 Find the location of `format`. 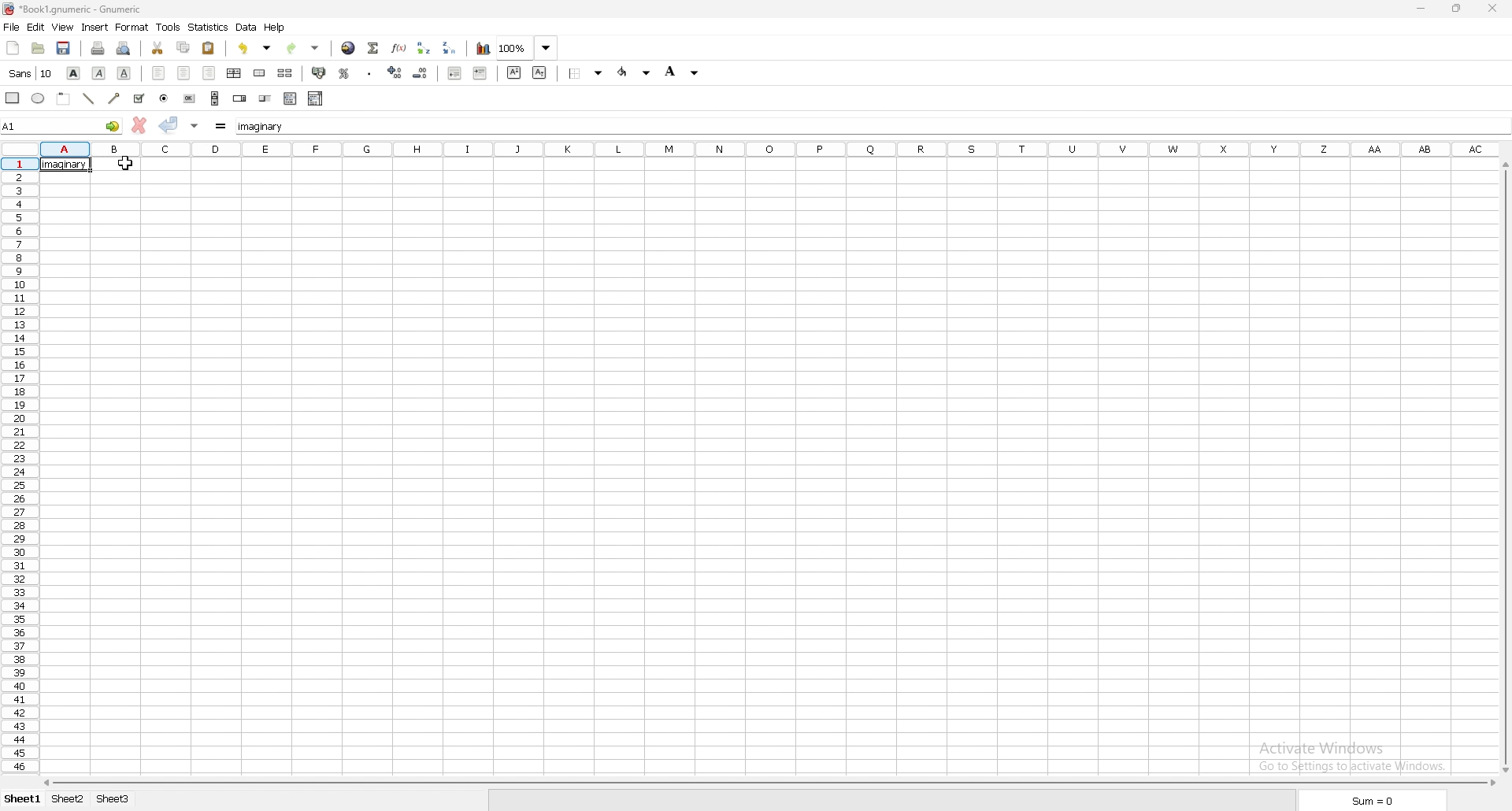

format is located at coordinates (132, 27).